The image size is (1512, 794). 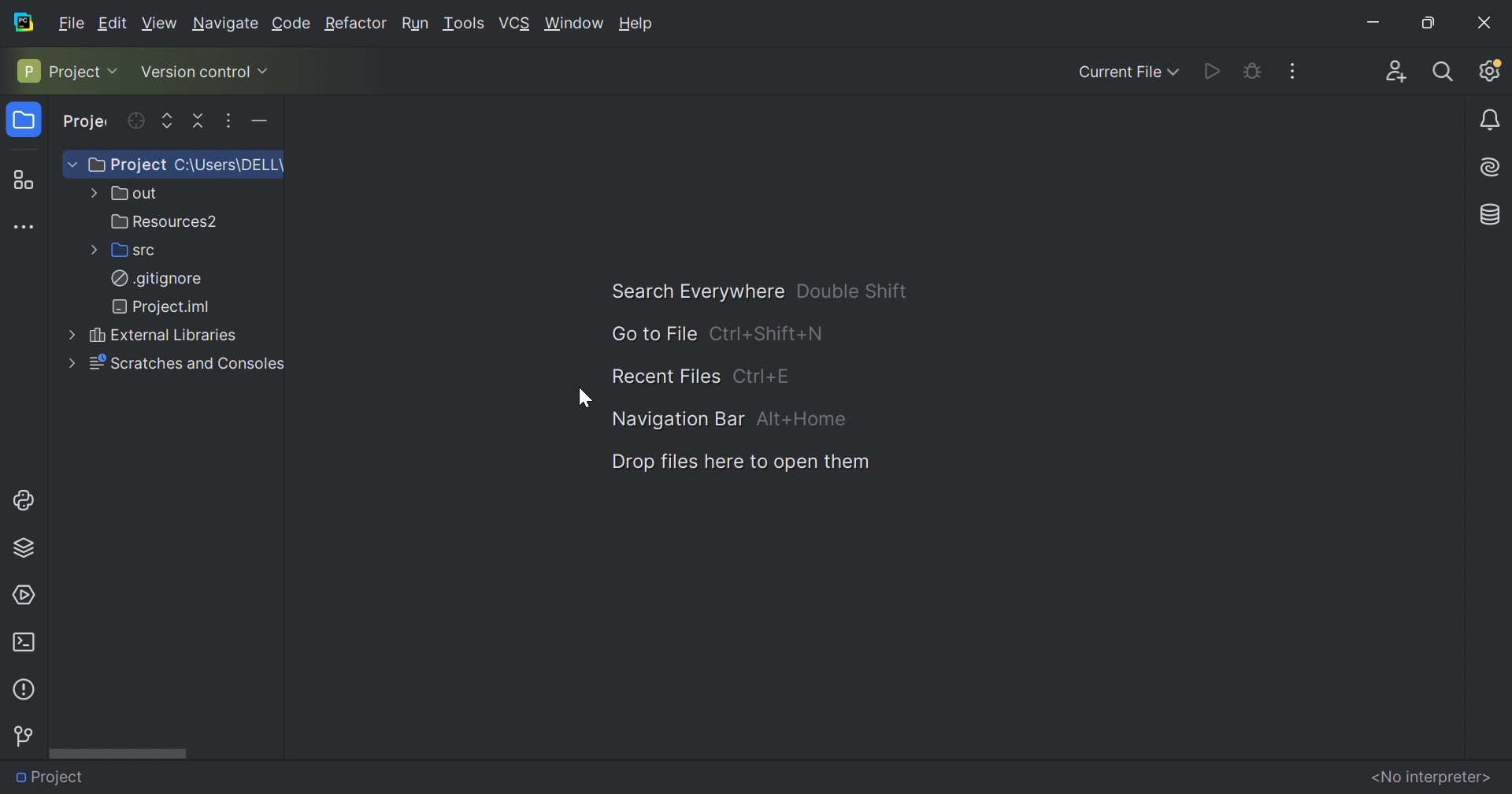 I want to click on More, so click(x=91, y=250).